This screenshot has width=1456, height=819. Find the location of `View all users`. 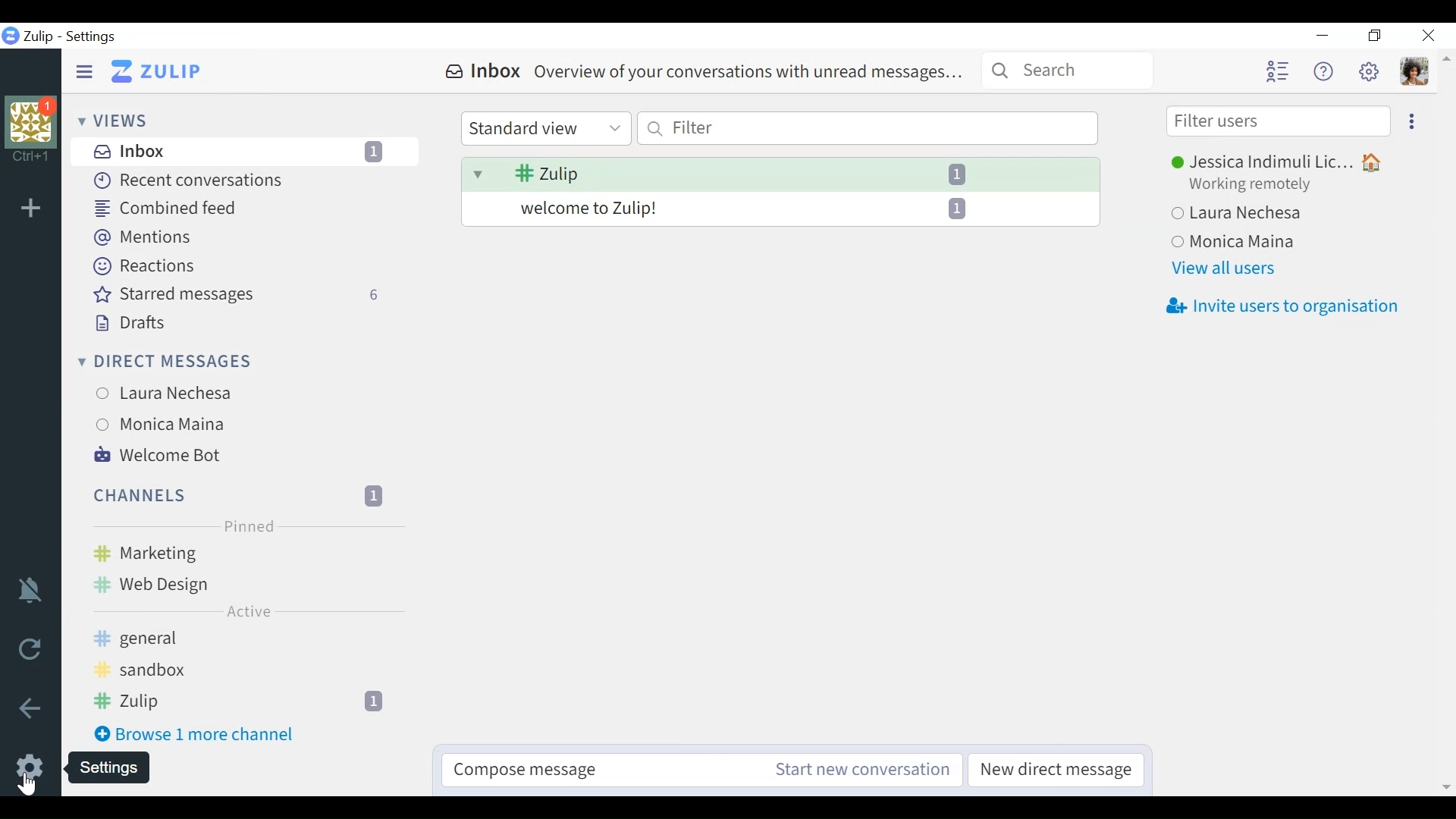

View all users is located at coordinates (1223, 270).